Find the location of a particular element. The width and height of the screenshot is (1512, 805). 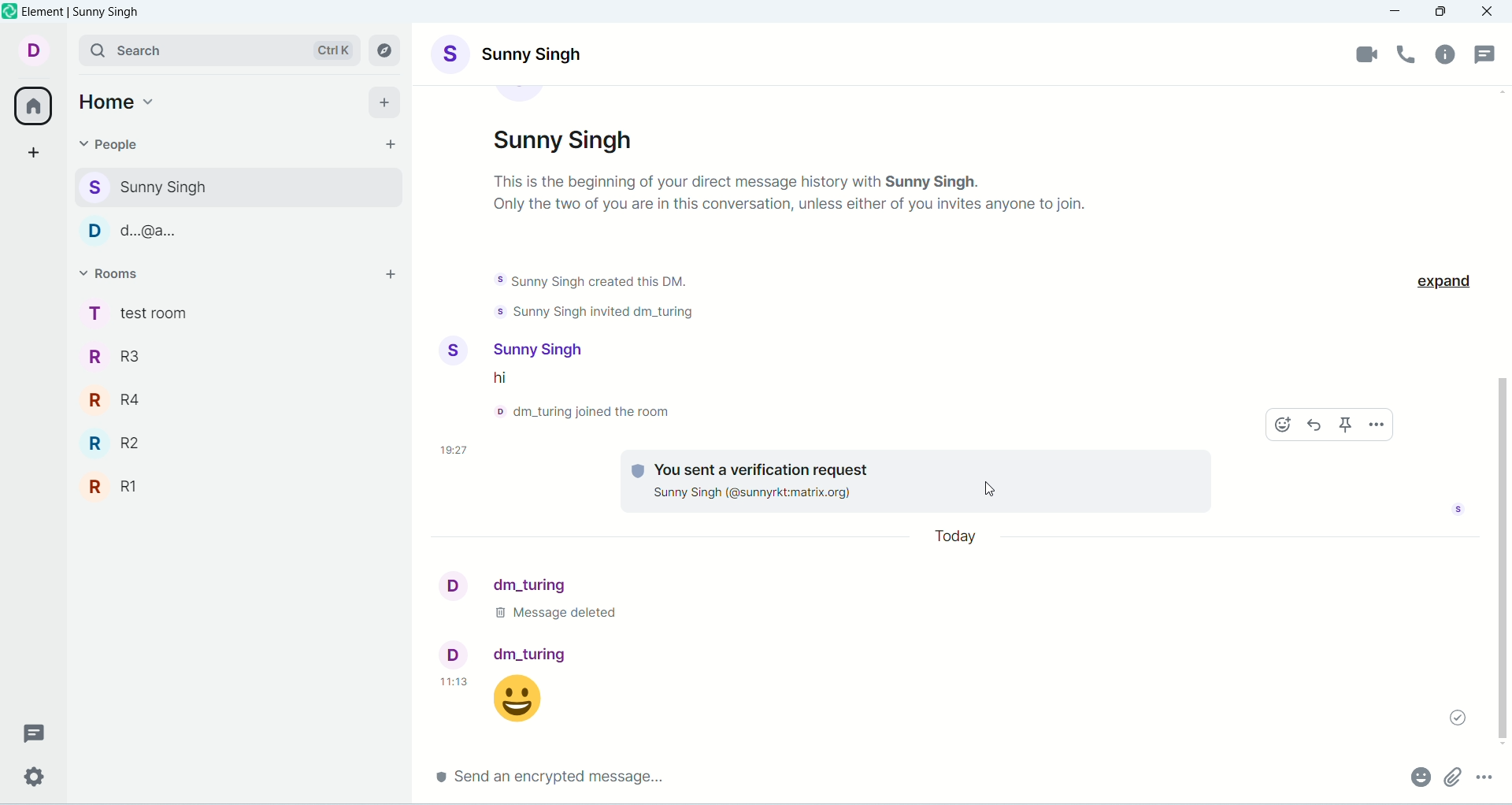

explore rooms is located at coordinates (387, 51).